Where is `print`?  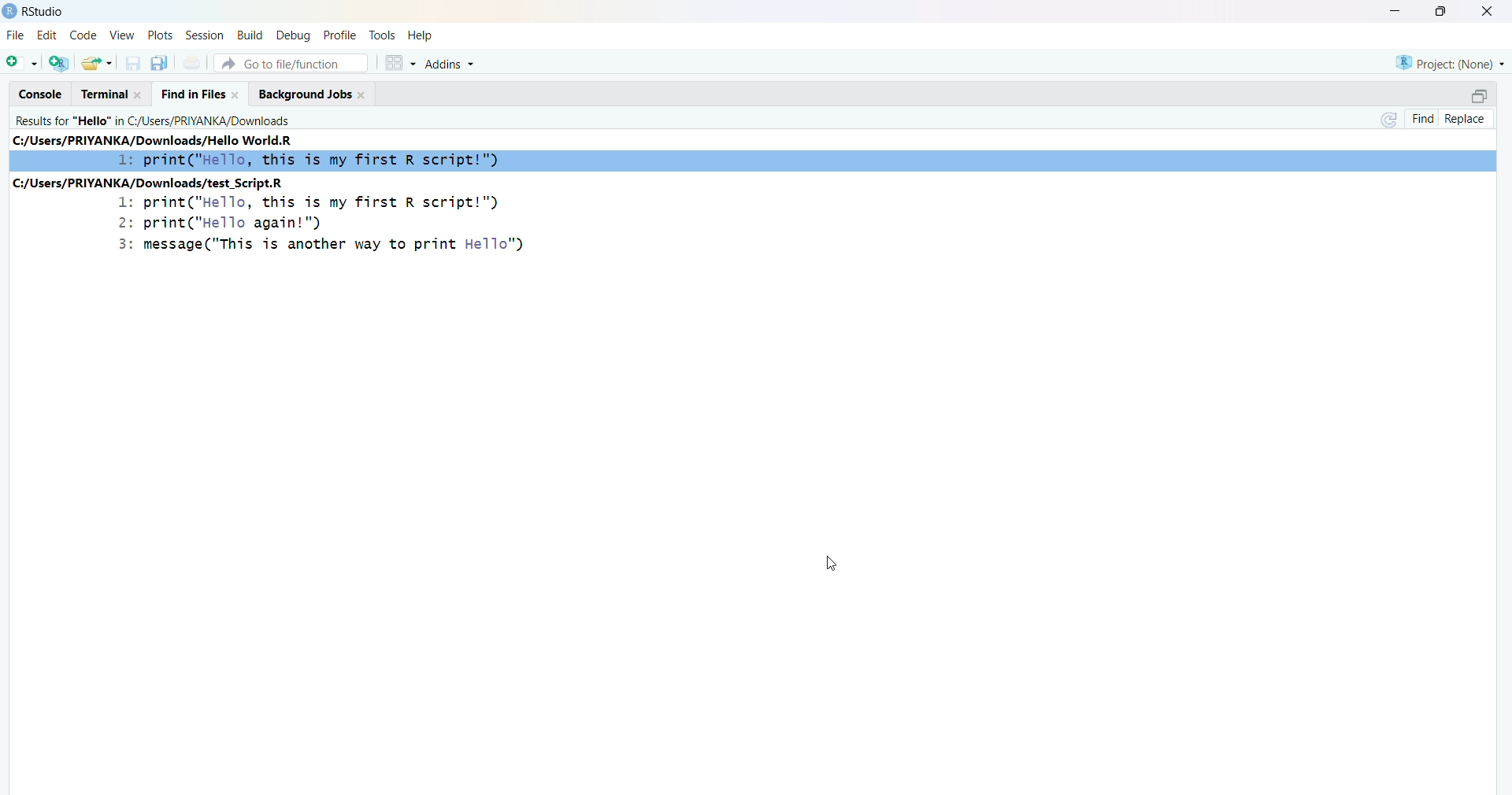
print is located at coordinates (193, 62).